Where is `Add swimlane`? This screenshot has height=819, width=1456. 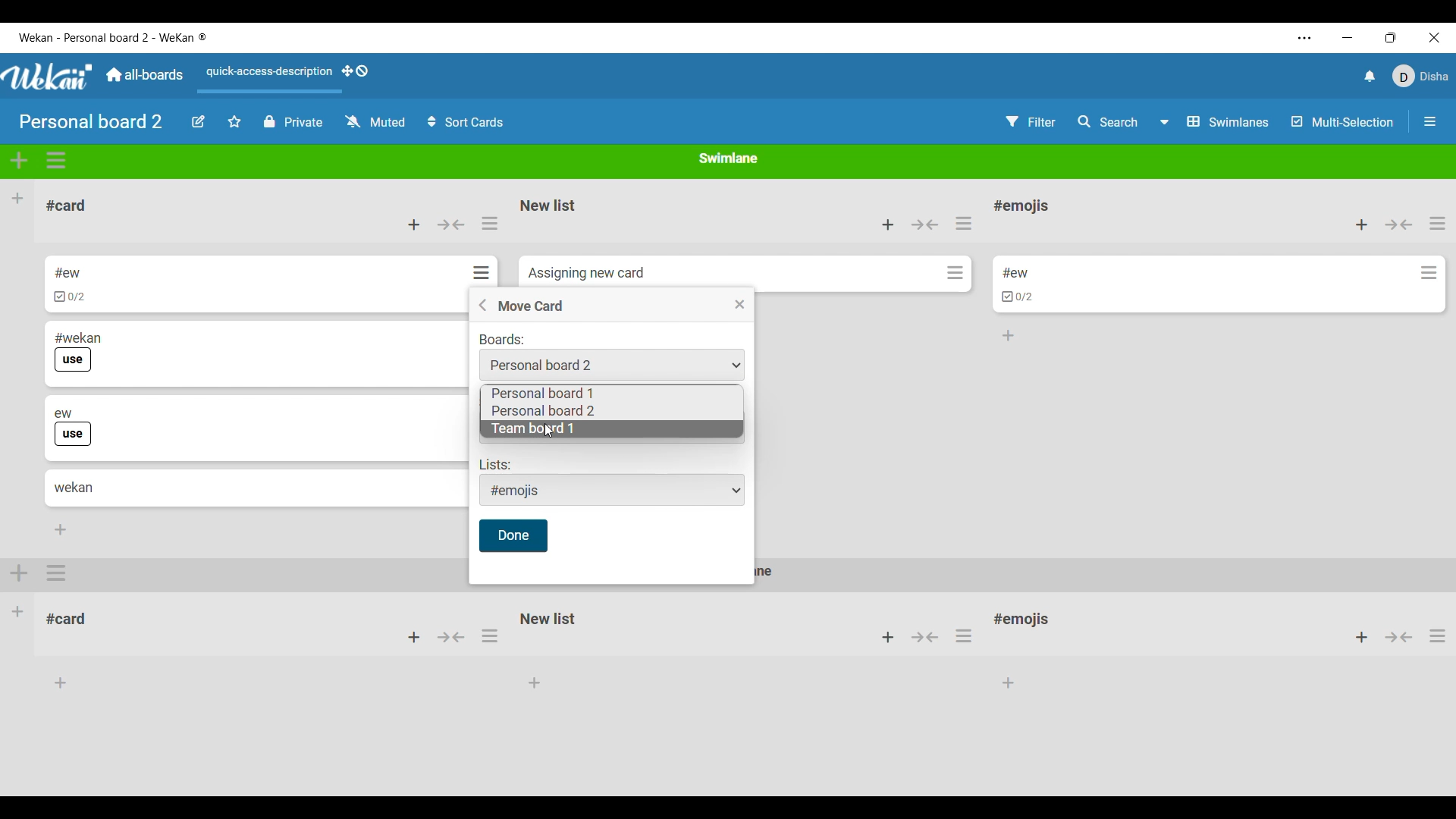 Add swimlane is located at coordinates (20, 160).